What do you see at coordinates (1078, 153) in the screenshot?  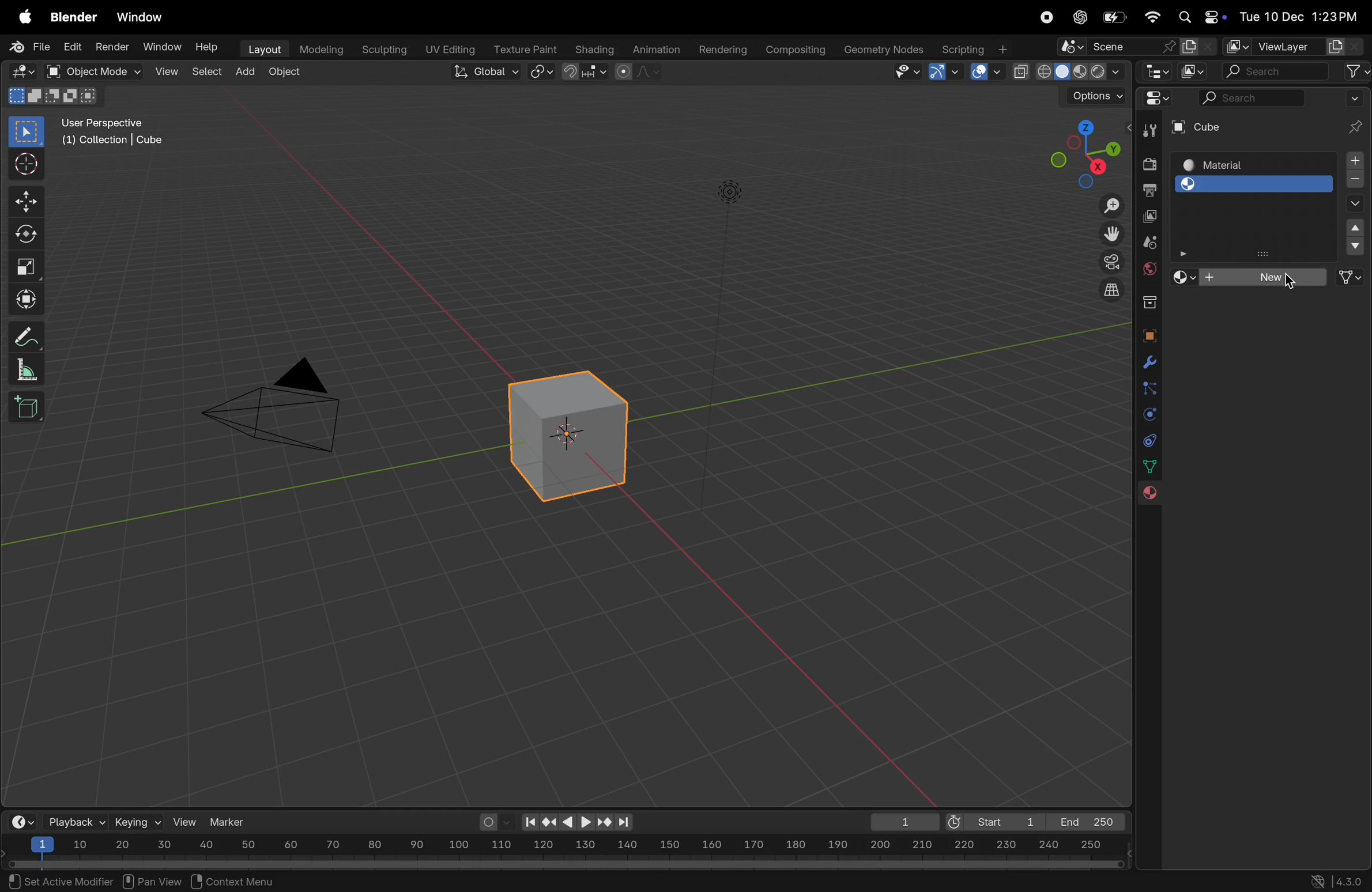 I see `view point` at bounding box center [1078, 153].